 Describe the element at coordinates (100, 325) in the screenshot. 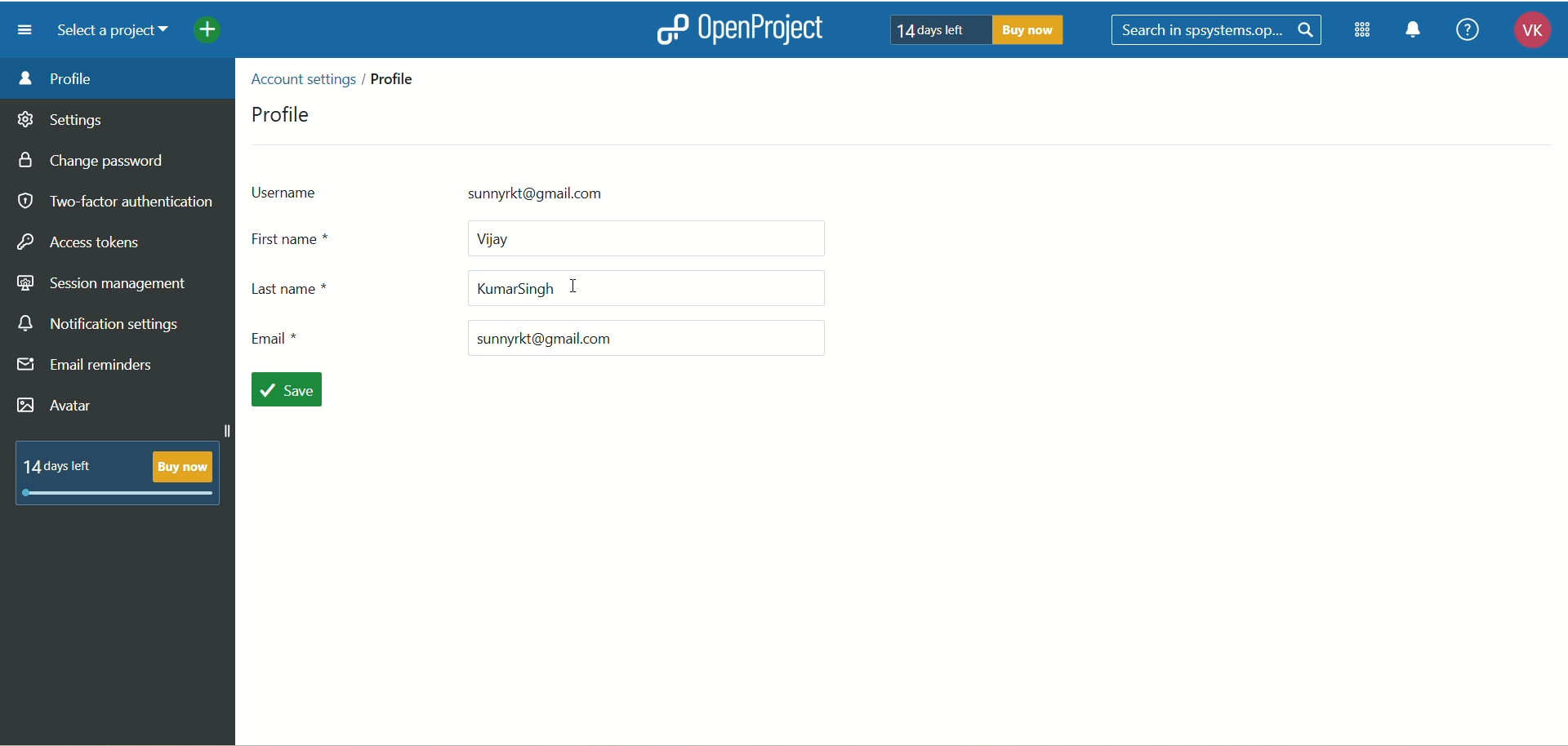

I see `notification settings` at that location.